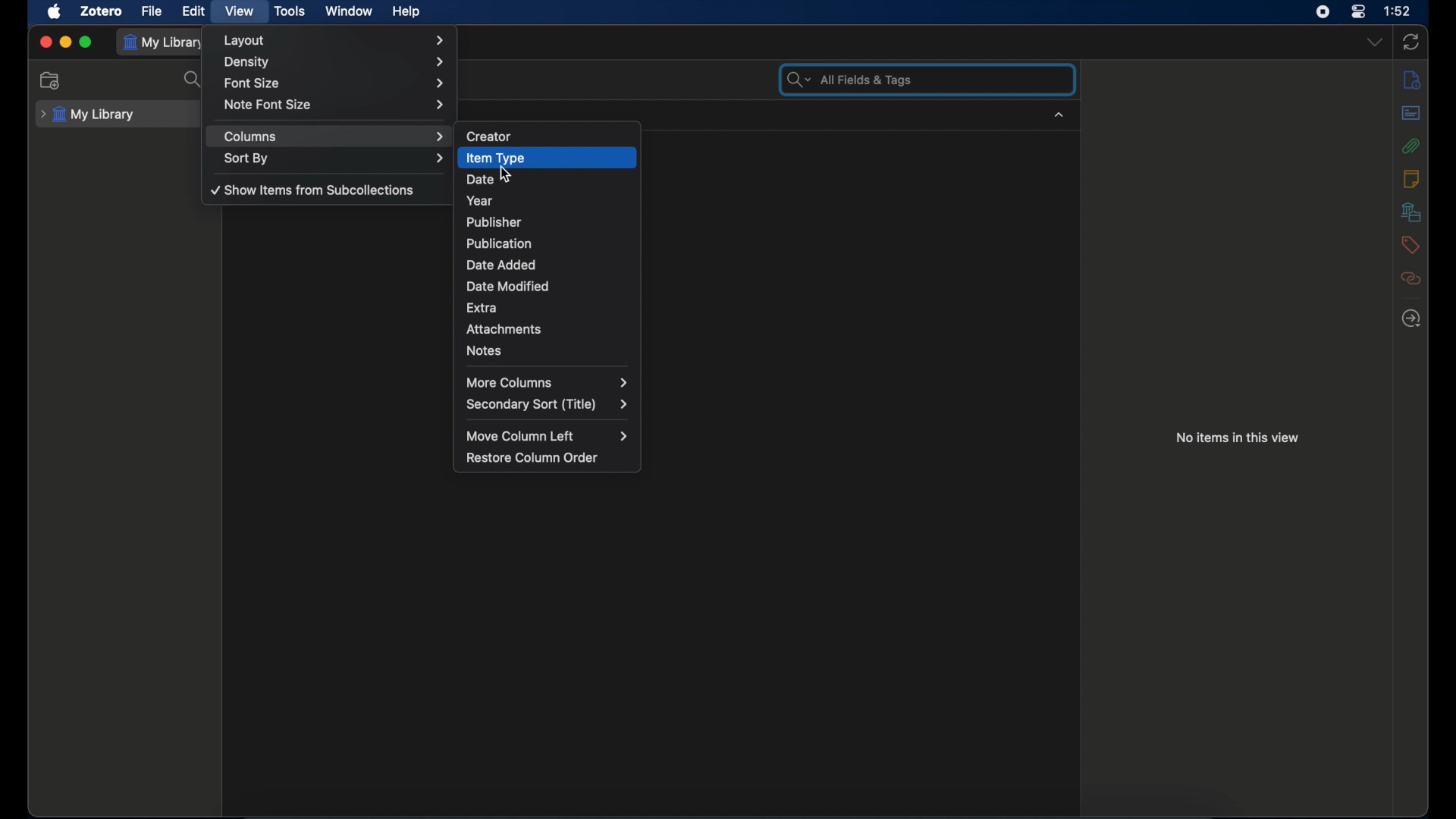 The image size is (1456, 819). What do you see at coordinates (290, 11) in the screenshot?
I see `tools` at bounding box center [290, 11].